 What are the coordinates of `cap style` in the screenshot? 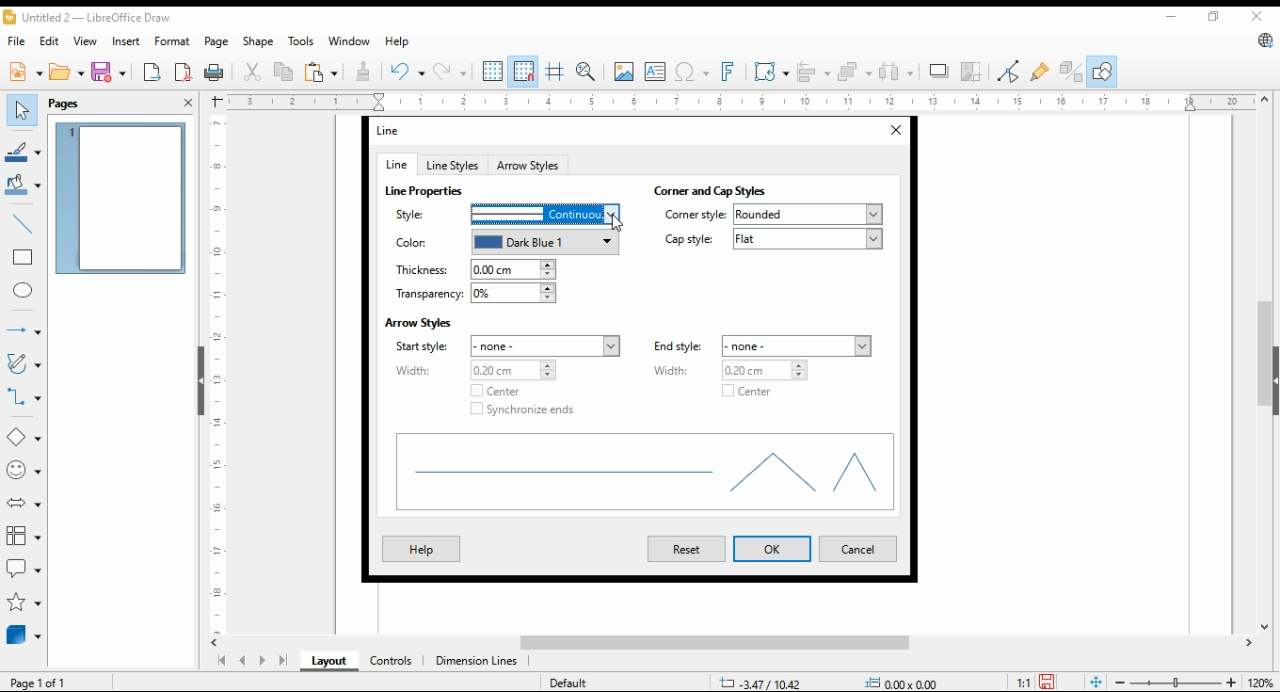 It's located at (773, 239).